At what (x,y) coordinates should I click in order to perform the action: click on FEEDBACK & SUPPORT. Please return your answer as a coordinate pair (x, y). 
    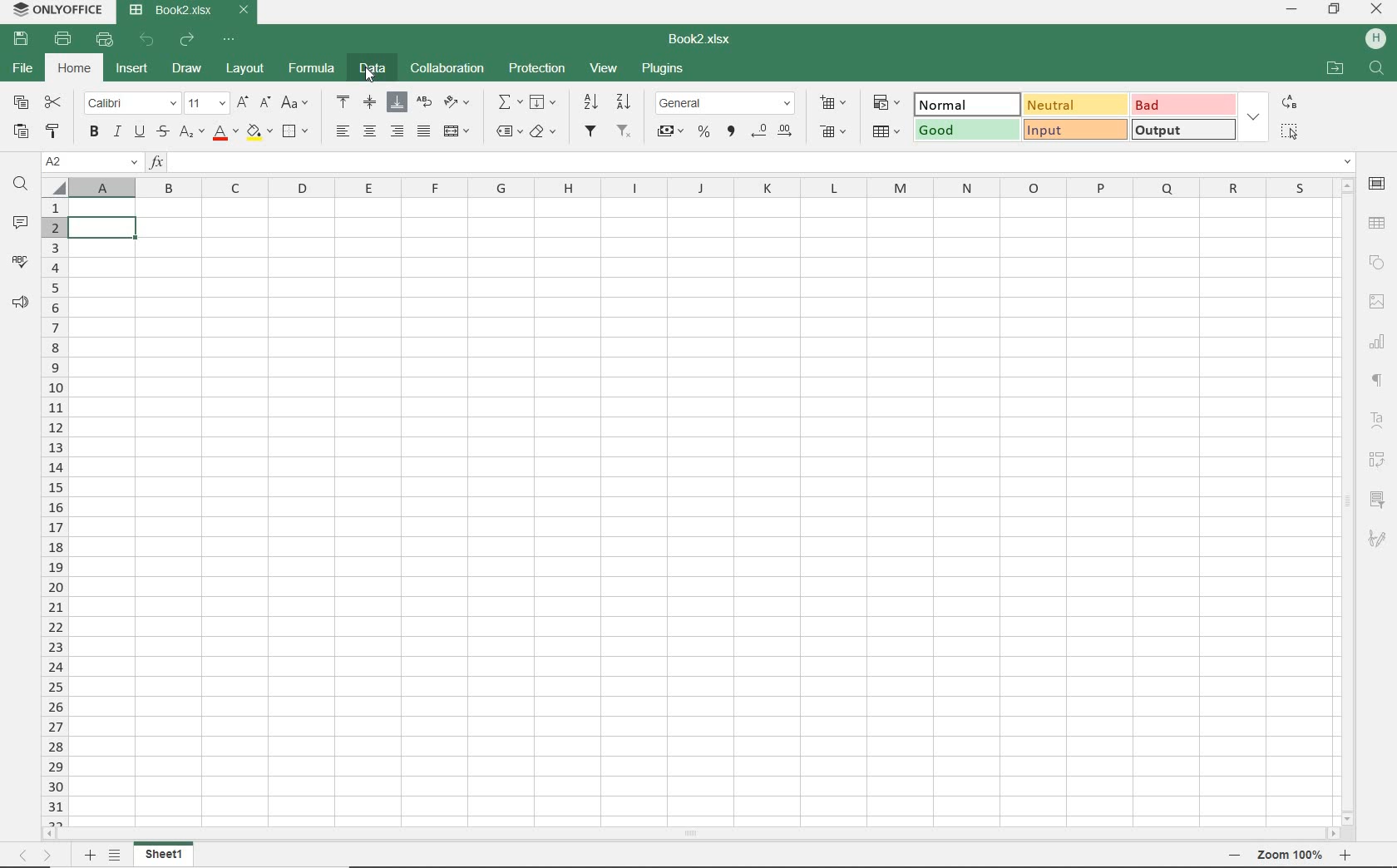
    Looking at the image, I should click on (21, 303).